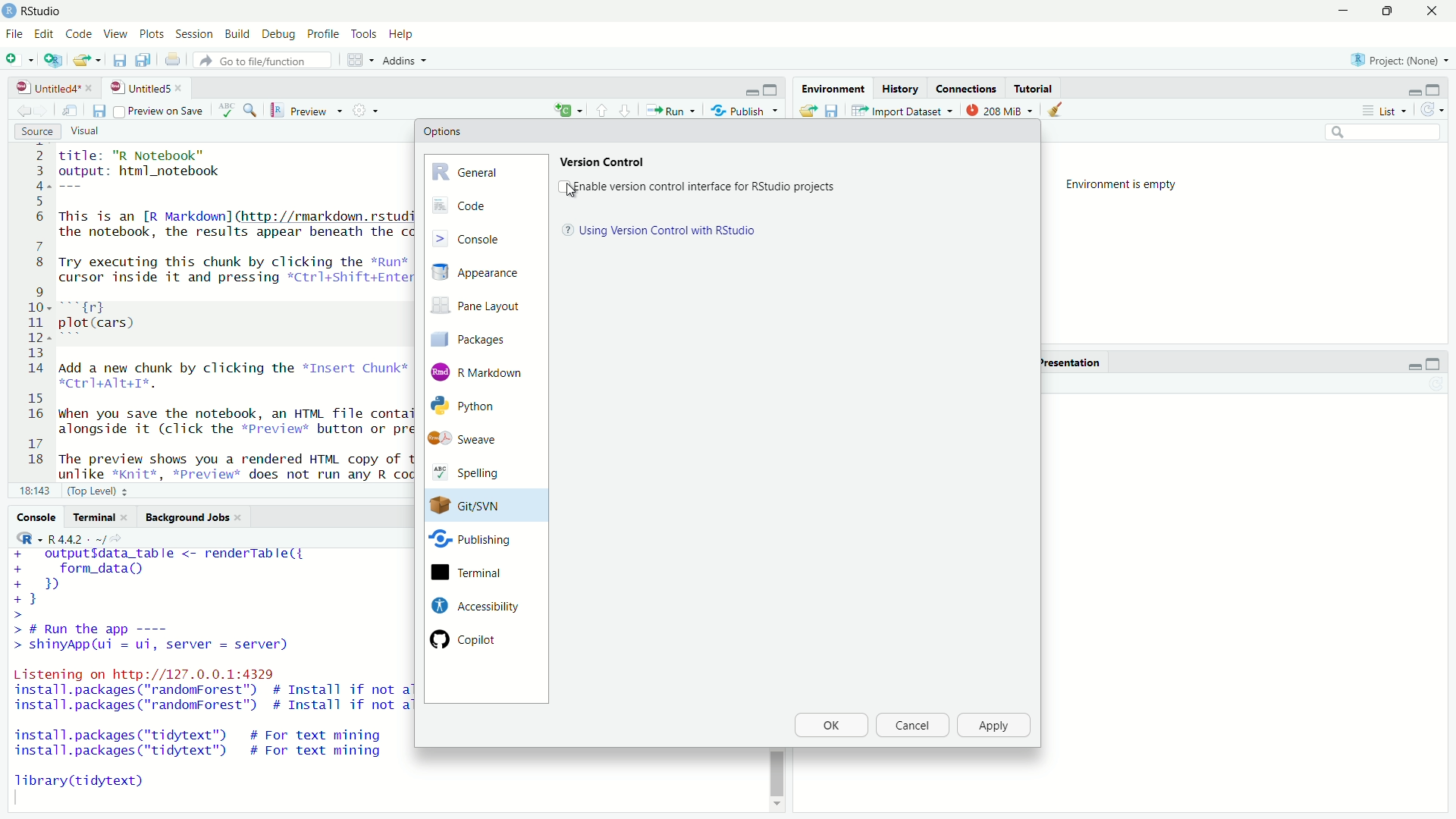 The width and height of the screenshot is (1456, 819). Describe the element at coordinates (120, 60) in the screenshot. I see `save current document` at that location.